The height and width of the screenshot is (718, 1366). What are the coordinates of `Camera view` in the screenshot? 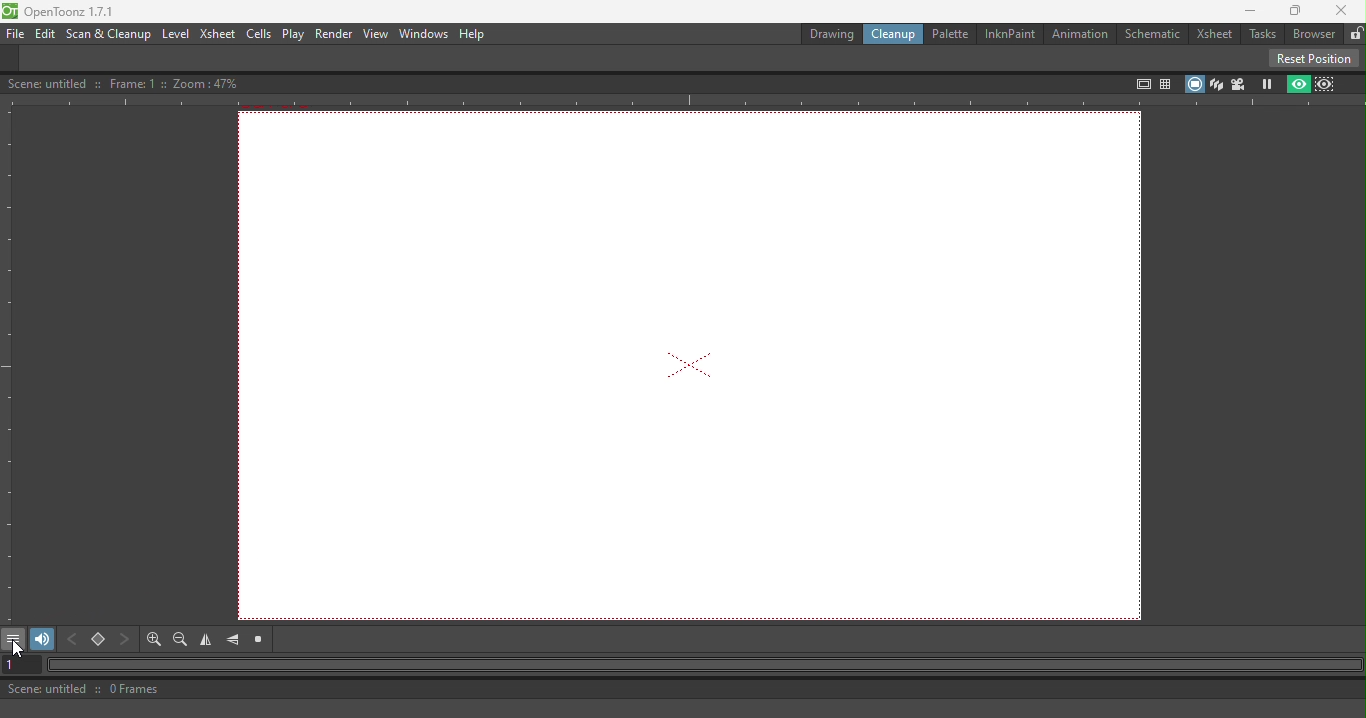 It's located at (1239, 84).